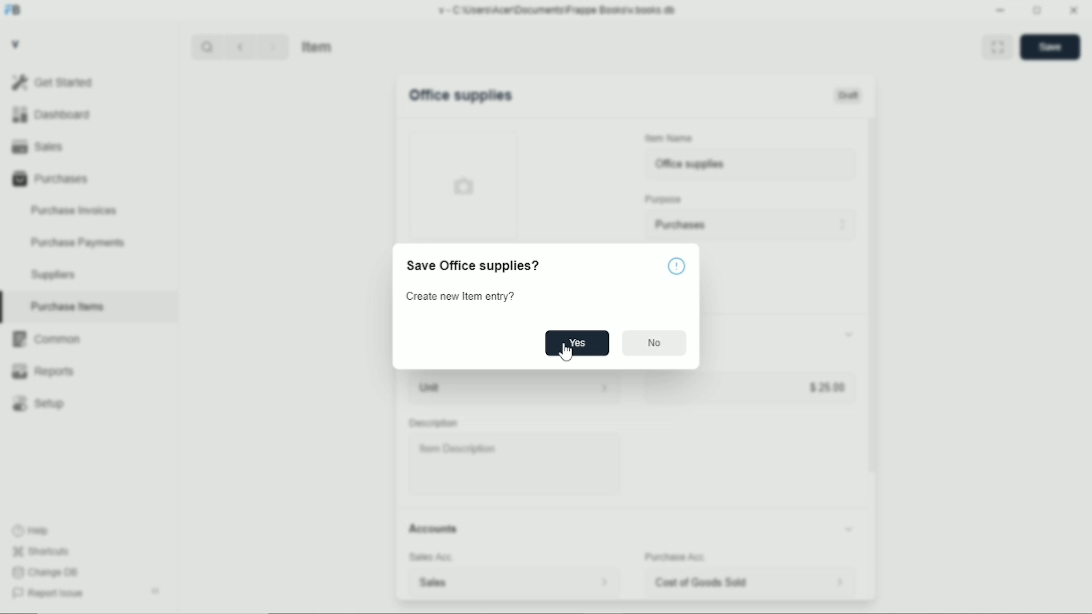  Describe the element at coordinates (239, 46) in the screenshot. I see `Back` at that location.